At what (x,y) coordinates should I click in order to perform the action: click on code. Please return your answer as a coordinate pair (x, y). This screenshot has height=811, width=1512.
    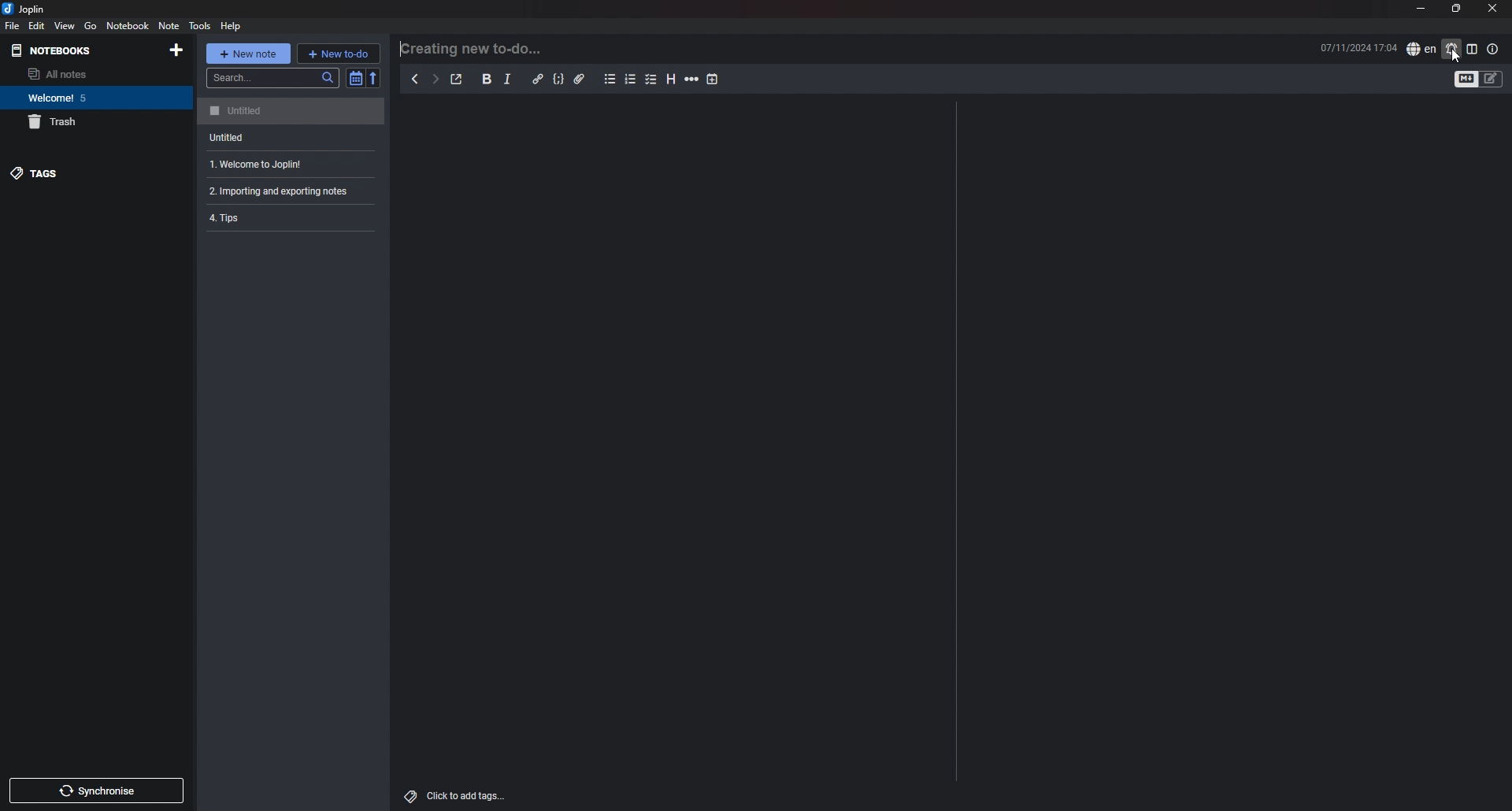
    Looking at the image, I should click on (559, 80).